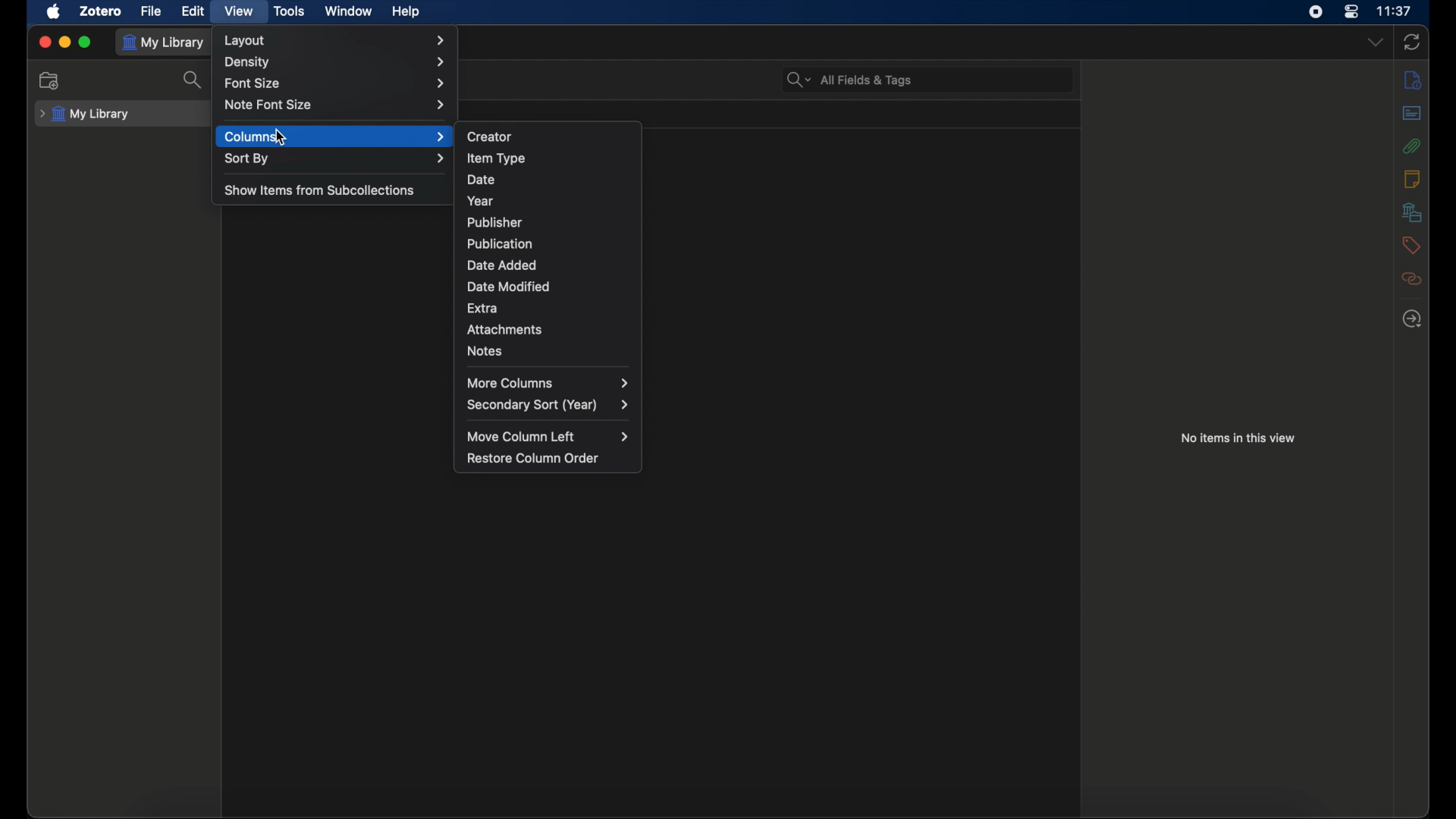 This screenshot has height=819, width=1456. I want to click on file, so click(152, 11).